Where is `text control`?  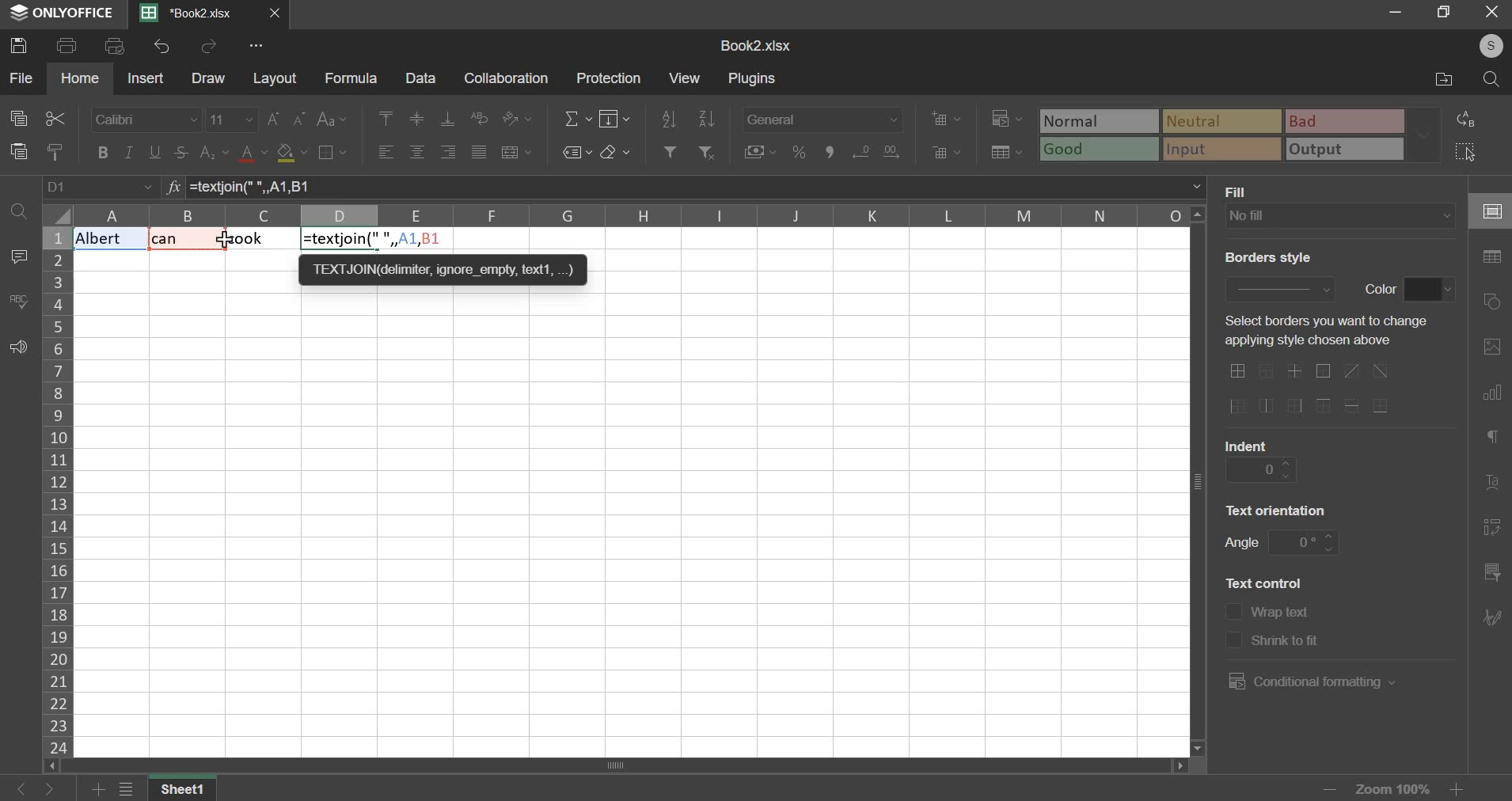
text control is located at coordinates (1233, 626).